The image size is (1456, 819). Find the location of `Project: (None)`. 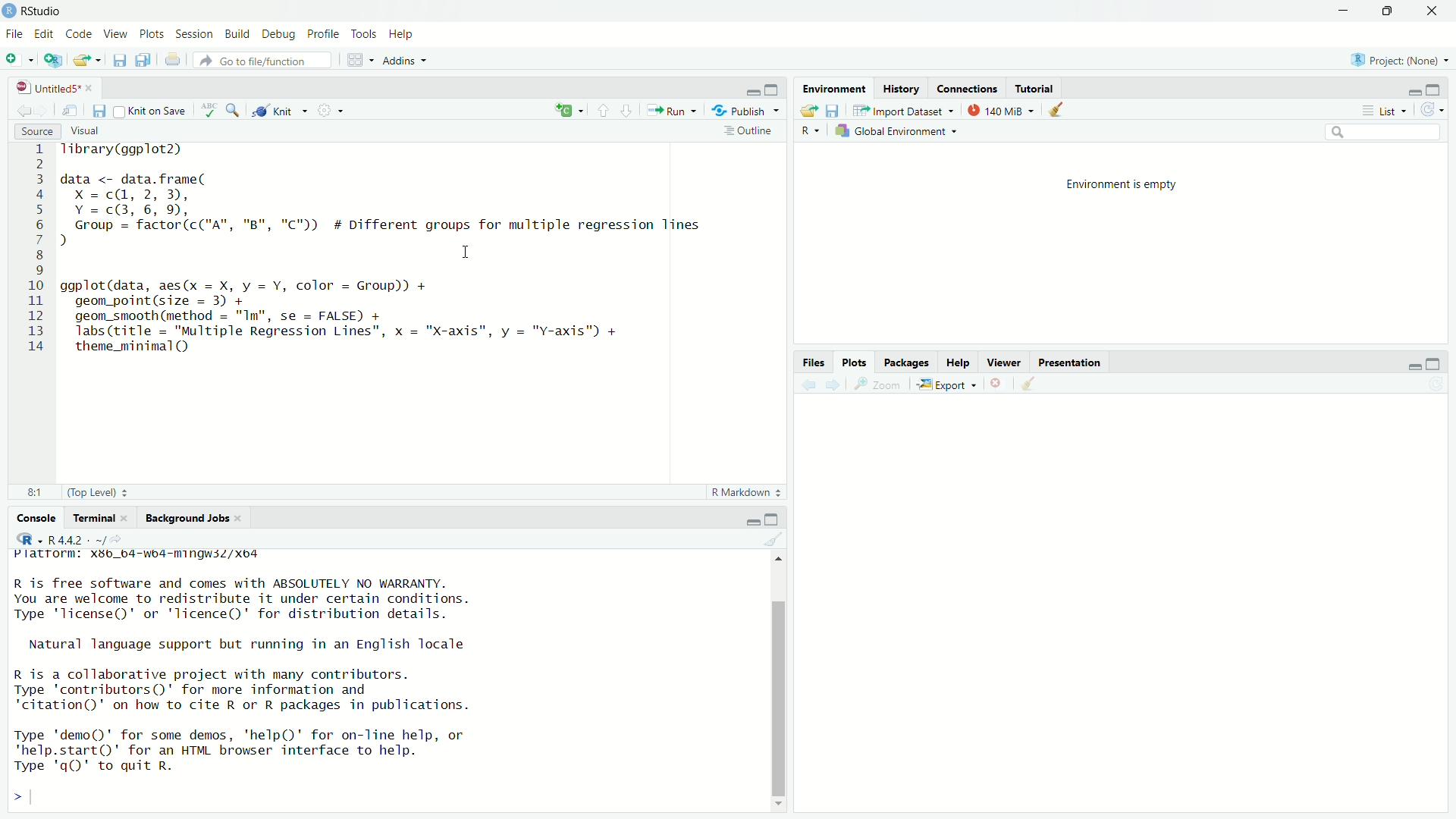

Project: (None) is located at coordinates (1398, 61).